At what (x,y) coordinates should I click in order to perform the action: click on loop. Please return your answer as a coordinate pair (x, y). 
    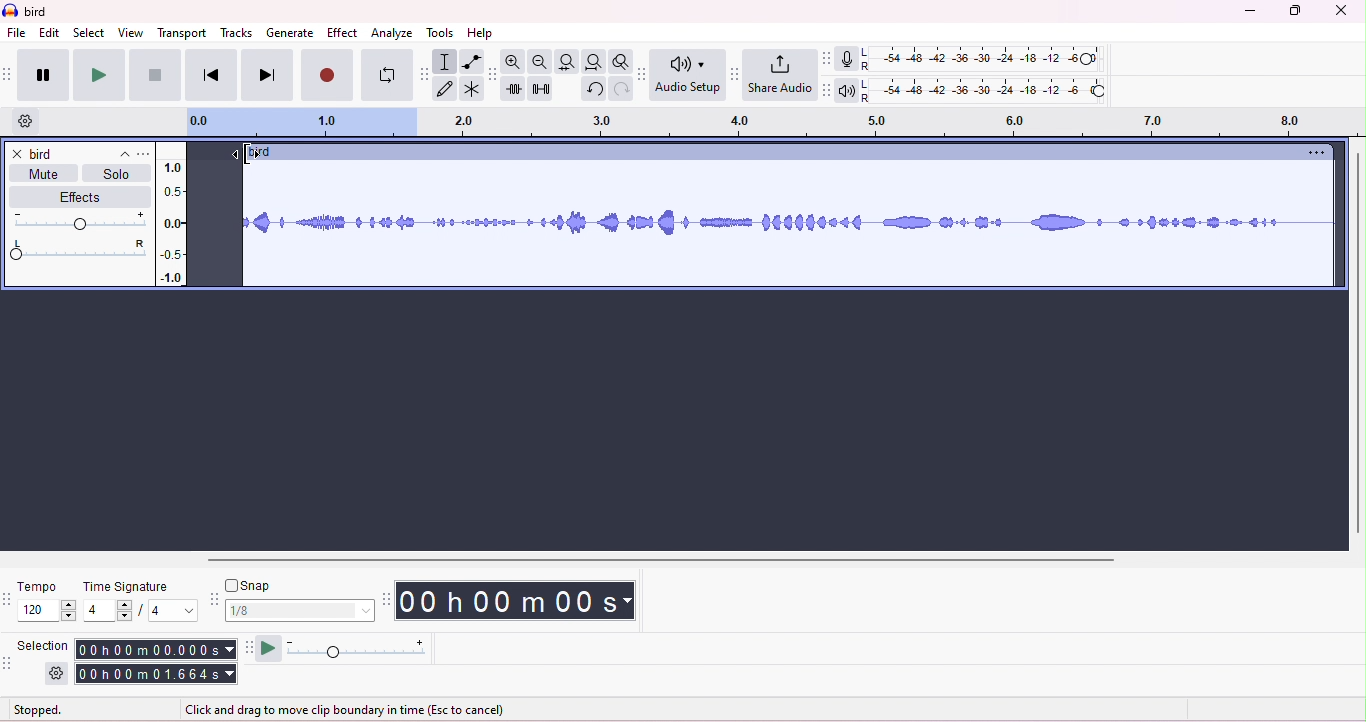
    Looking at the image, I should click on (384, 77).